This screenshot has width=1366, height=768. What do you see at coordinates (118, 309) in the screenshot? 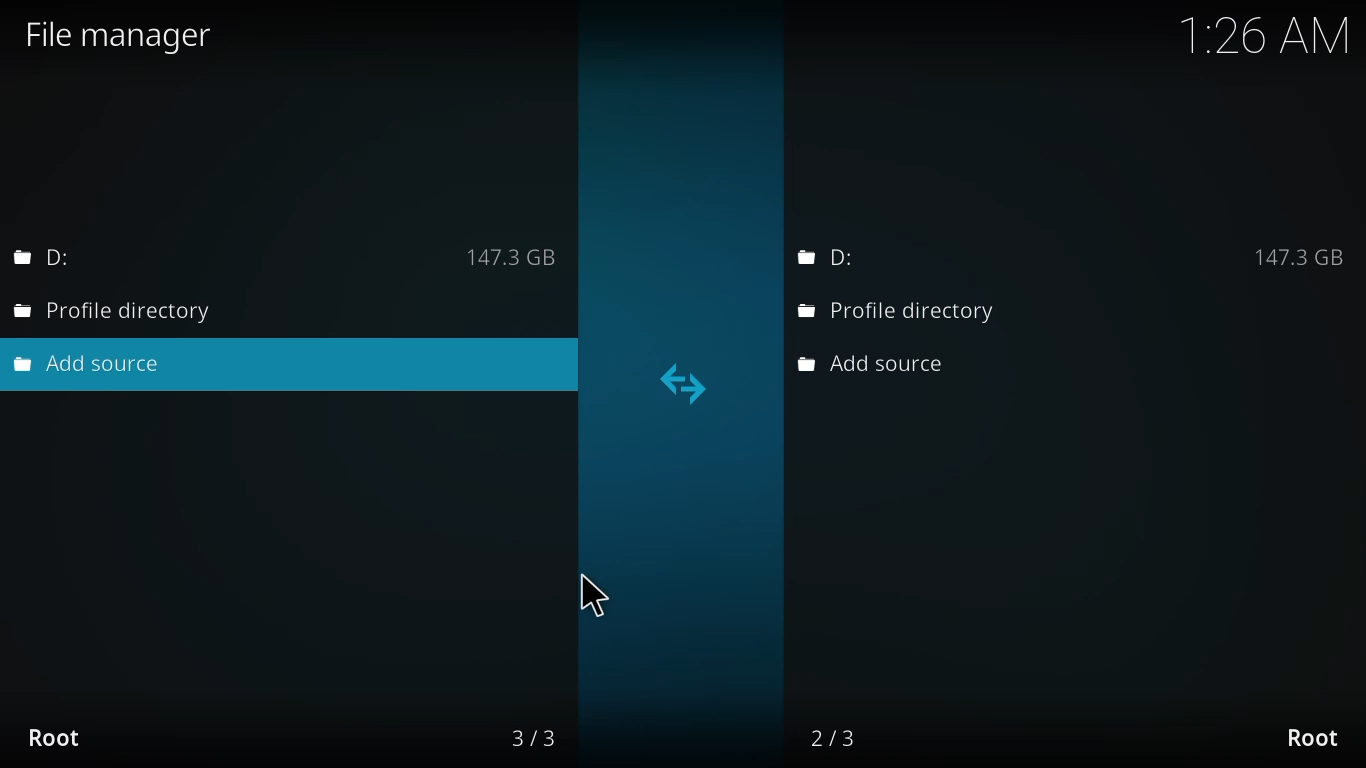
I see `Profile directory` at bounding box center [118, 309].